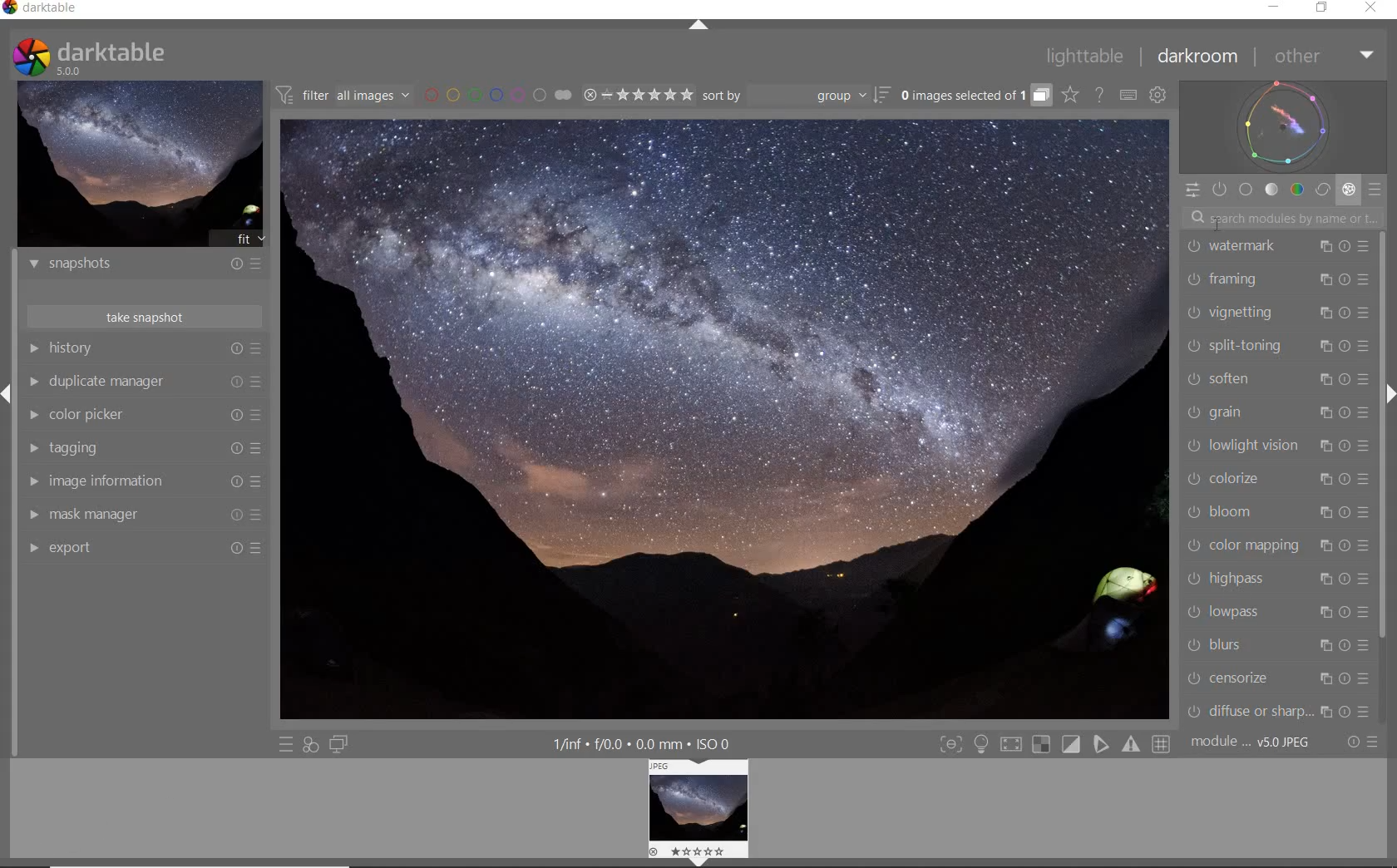  I want to click on IMAGE INFORMATION, so click(35, 481).